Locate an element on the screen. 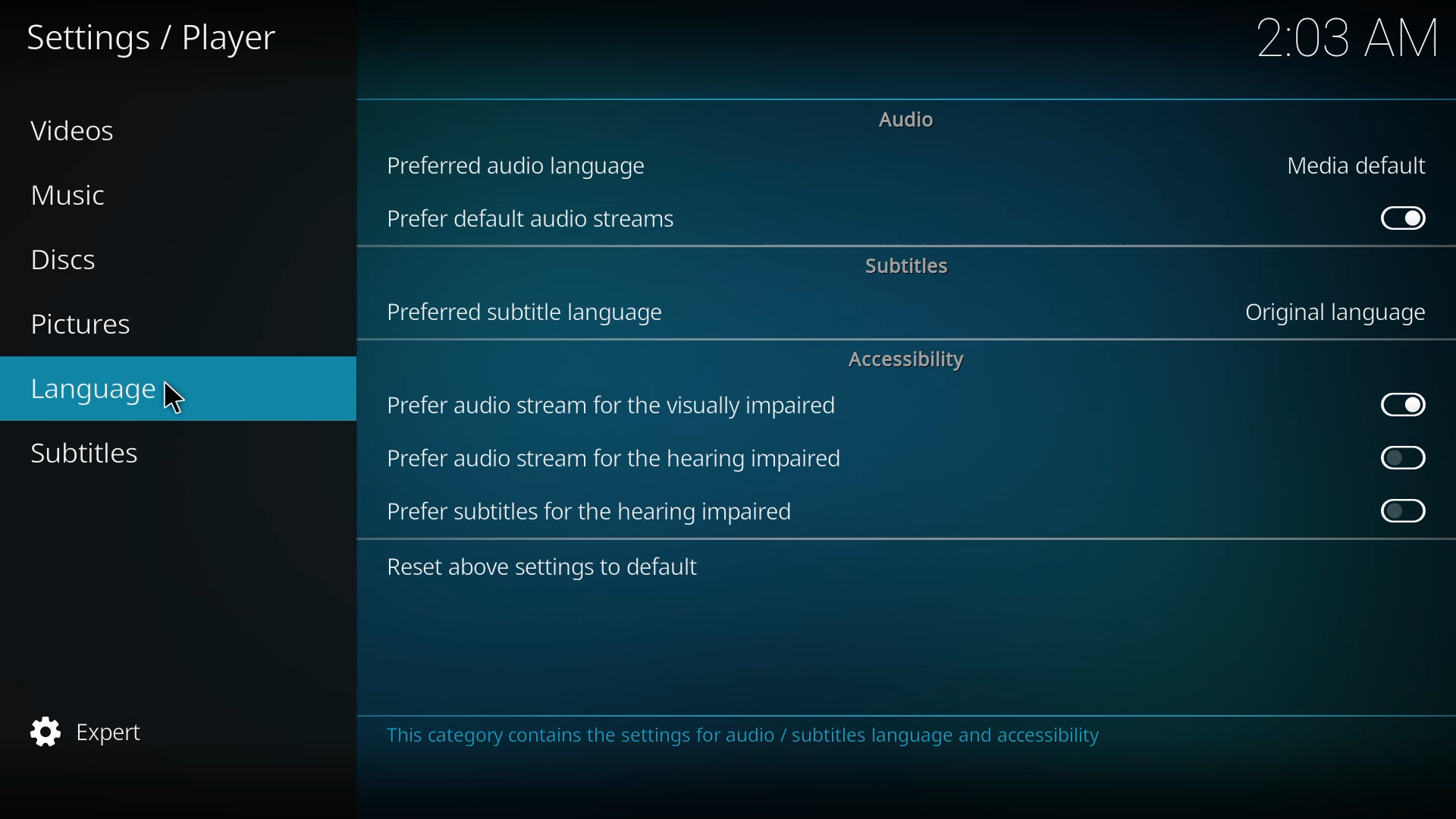 The width and height of the screenshot is (1456, 819). media default is located at coordinates (1359, 167).